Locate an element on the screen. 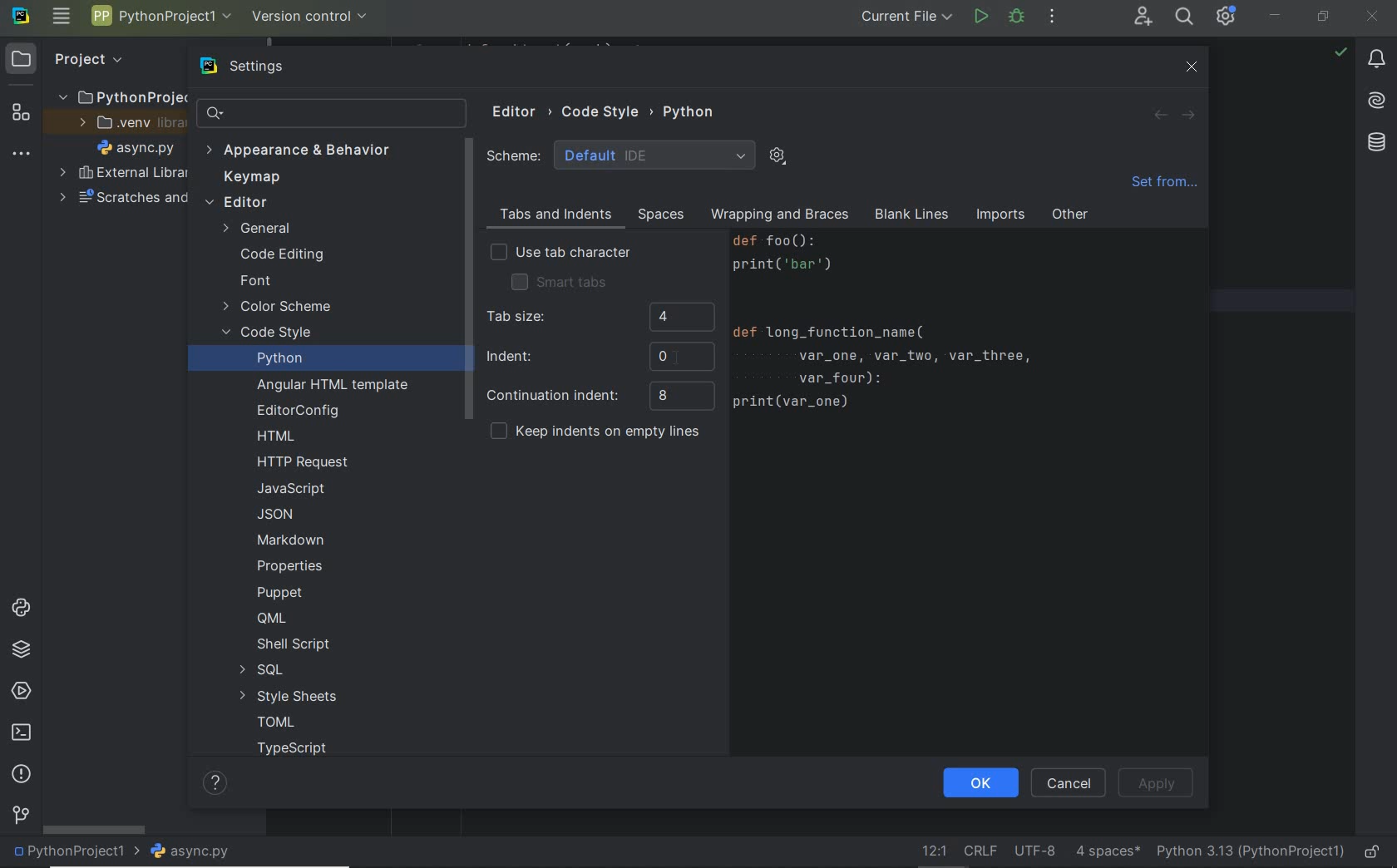 The width and height of the screenshot is (1397, 868). Version Control is located at coordinates (310, 17).